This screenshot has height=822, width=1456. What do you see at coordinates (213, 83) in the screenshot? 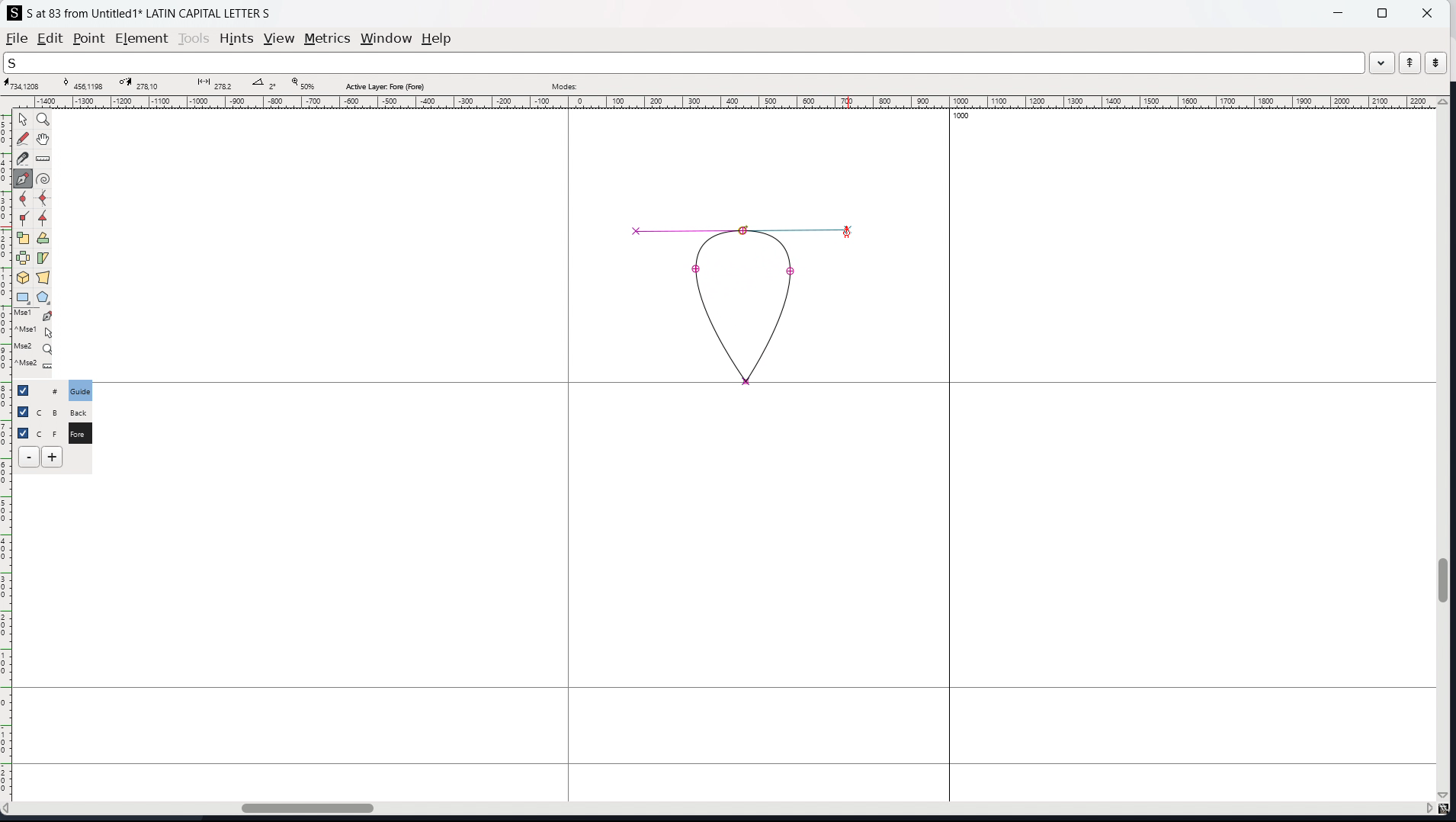
I see `distance between points` at bounding box center [213, 83].